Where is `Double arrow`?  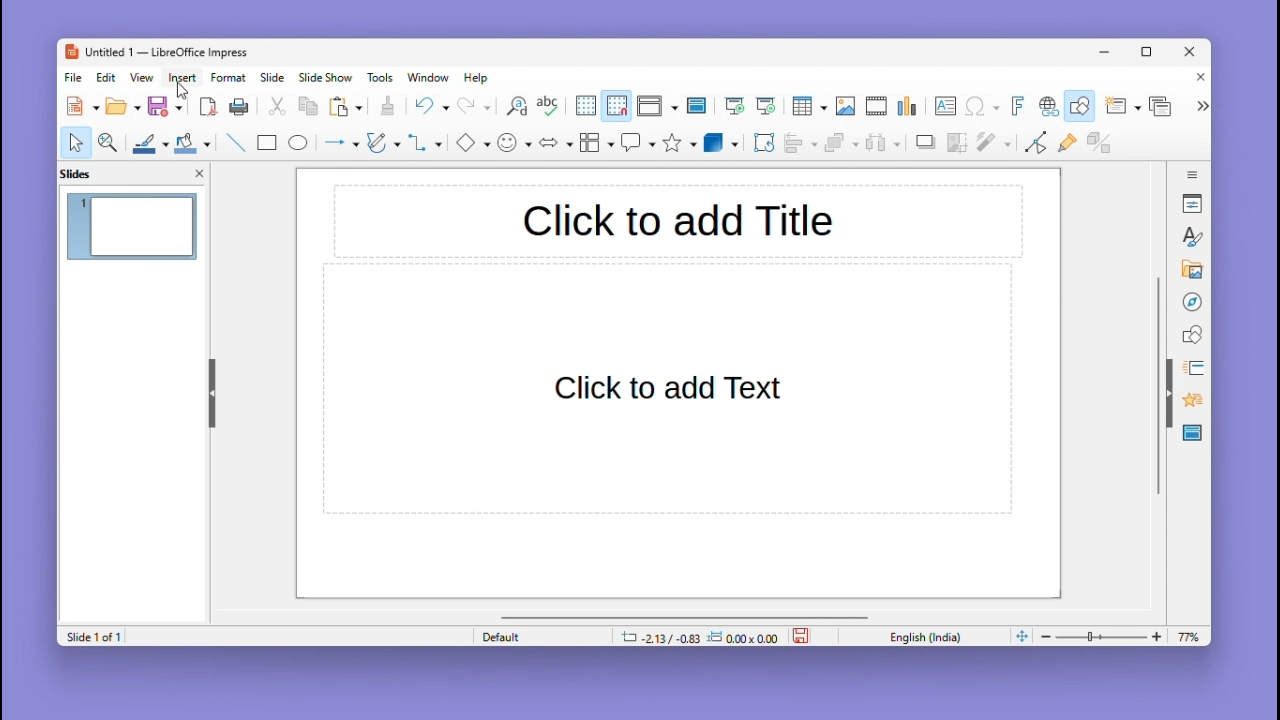
Double arrow is located at coordinates (556, 141).